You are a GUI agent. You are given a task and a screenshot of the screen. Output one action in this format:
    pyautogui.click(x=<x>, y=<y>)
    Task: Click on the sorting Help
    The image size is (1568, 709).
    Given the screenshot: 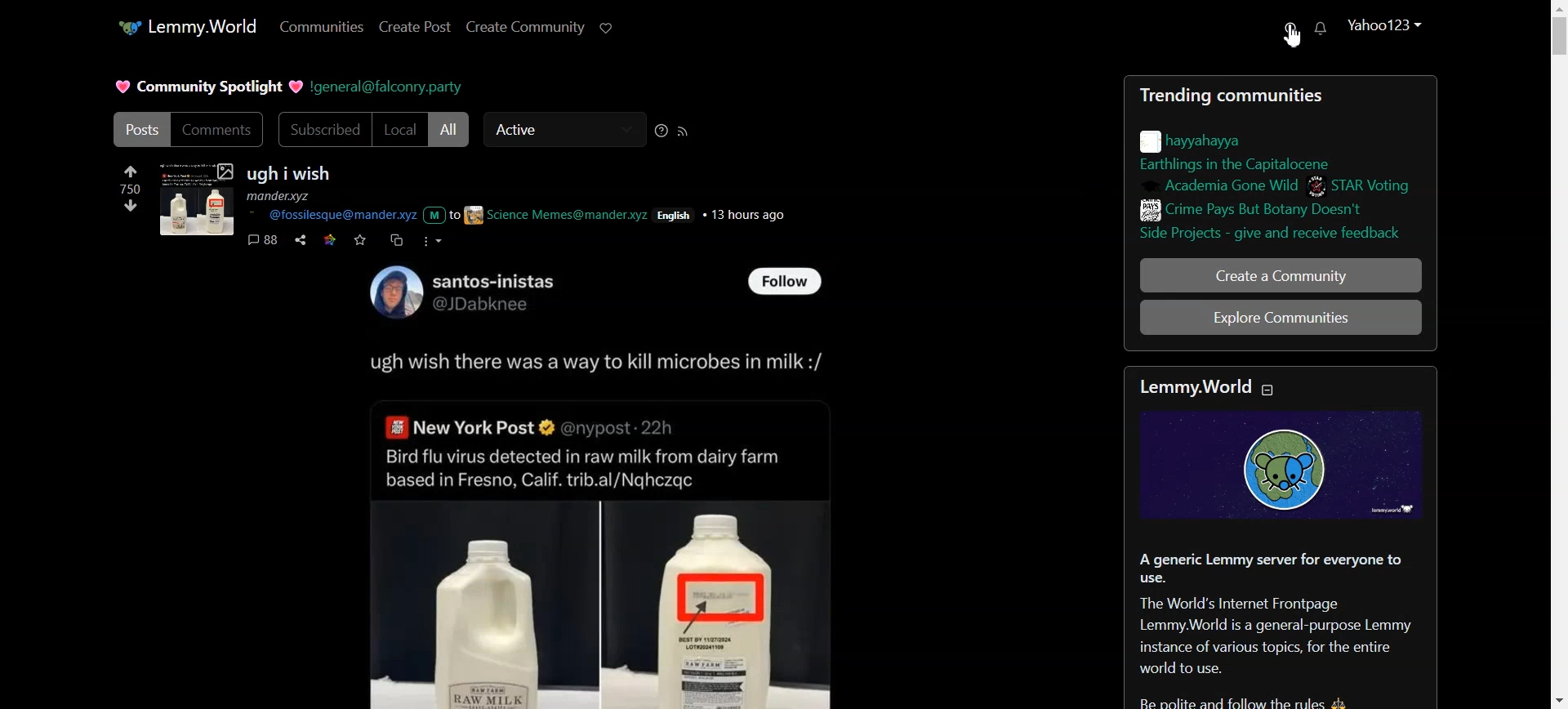 What is the action you would take?
    pyautogui.click(x=661, y=130)
    